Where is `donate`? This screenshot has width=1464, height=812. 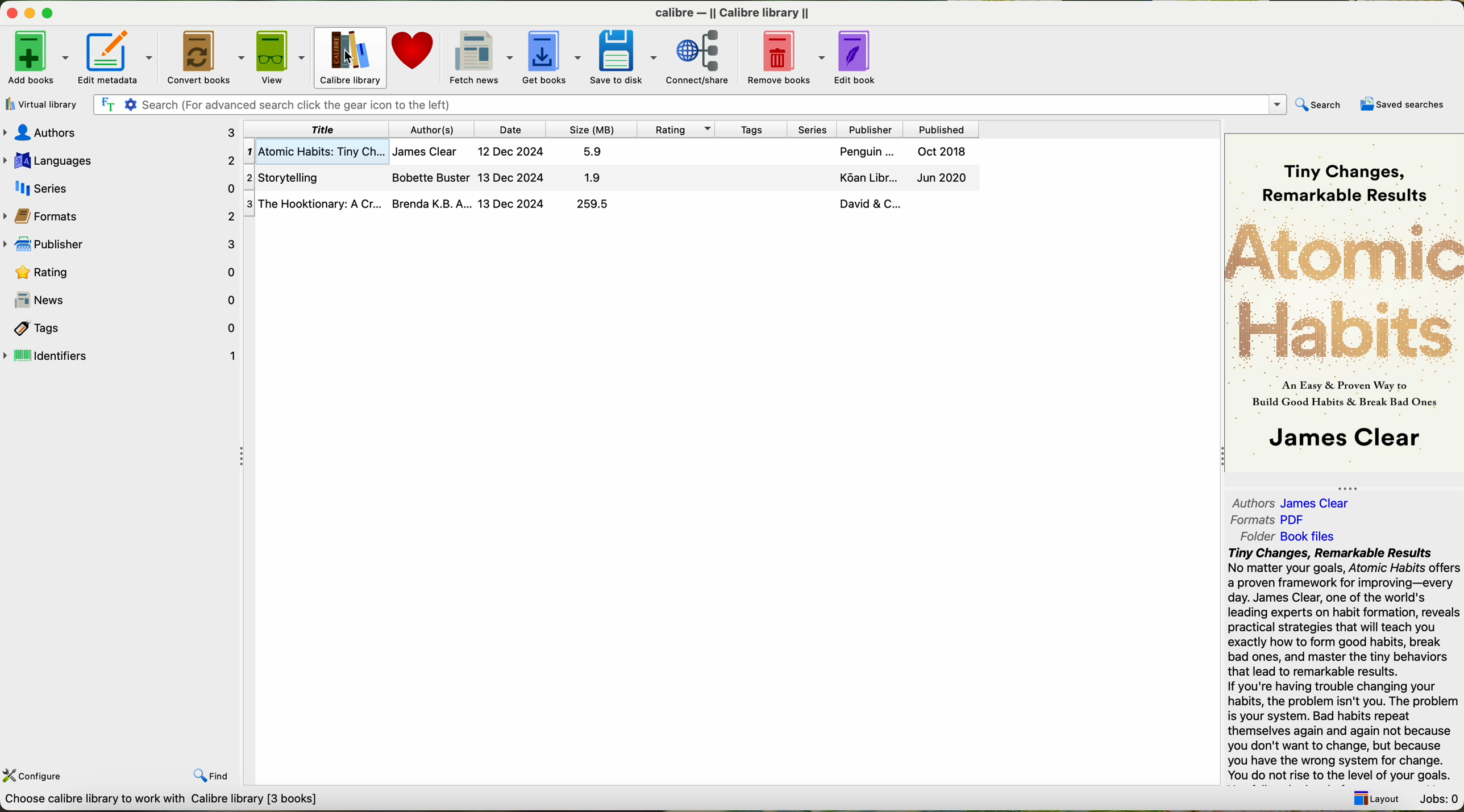
donate is located at coordinates (414, 56).